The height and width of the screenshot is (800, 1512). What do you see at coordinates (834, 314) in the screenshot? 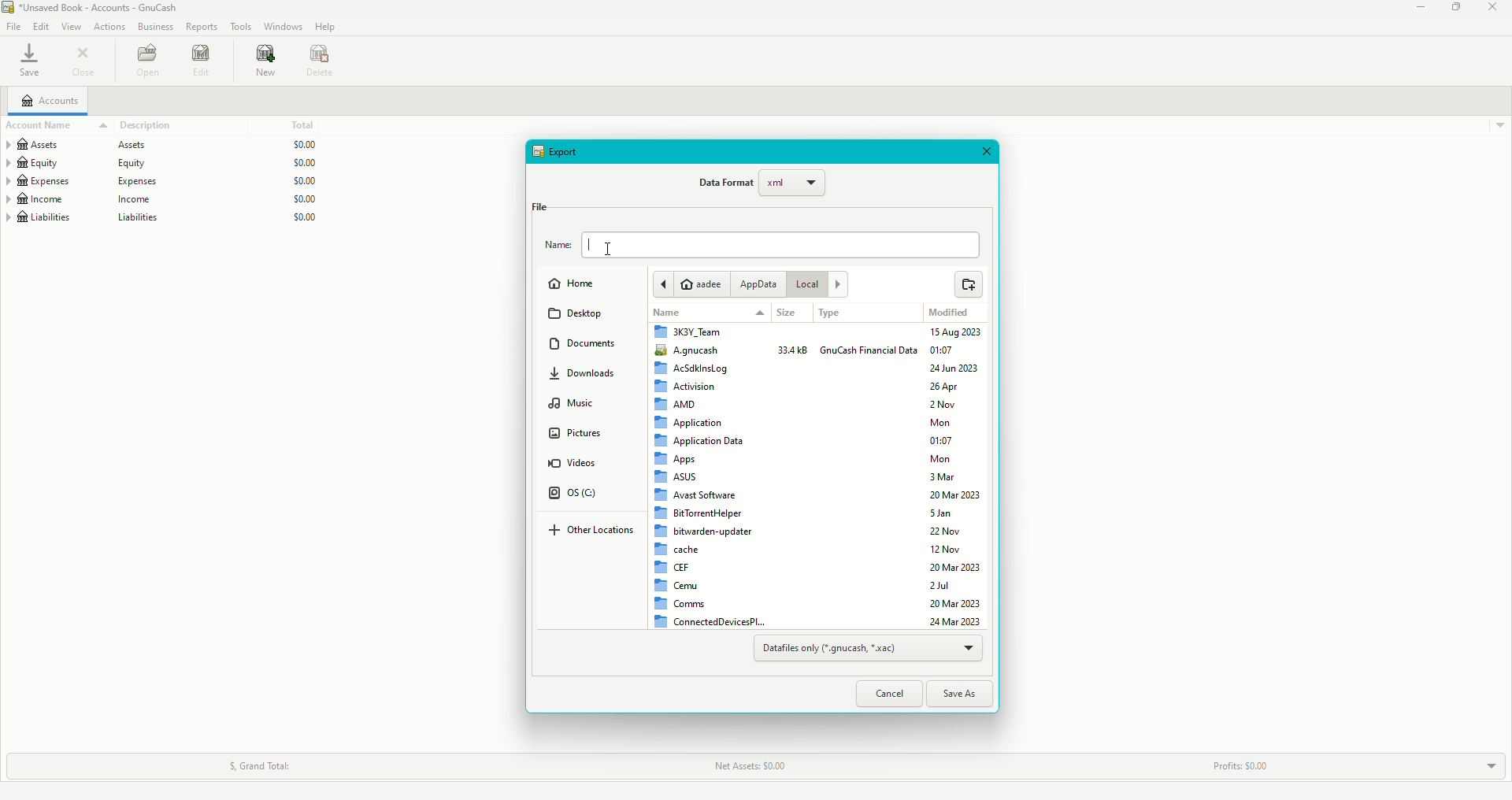
I see `Type` at bounding box center [834, 314].